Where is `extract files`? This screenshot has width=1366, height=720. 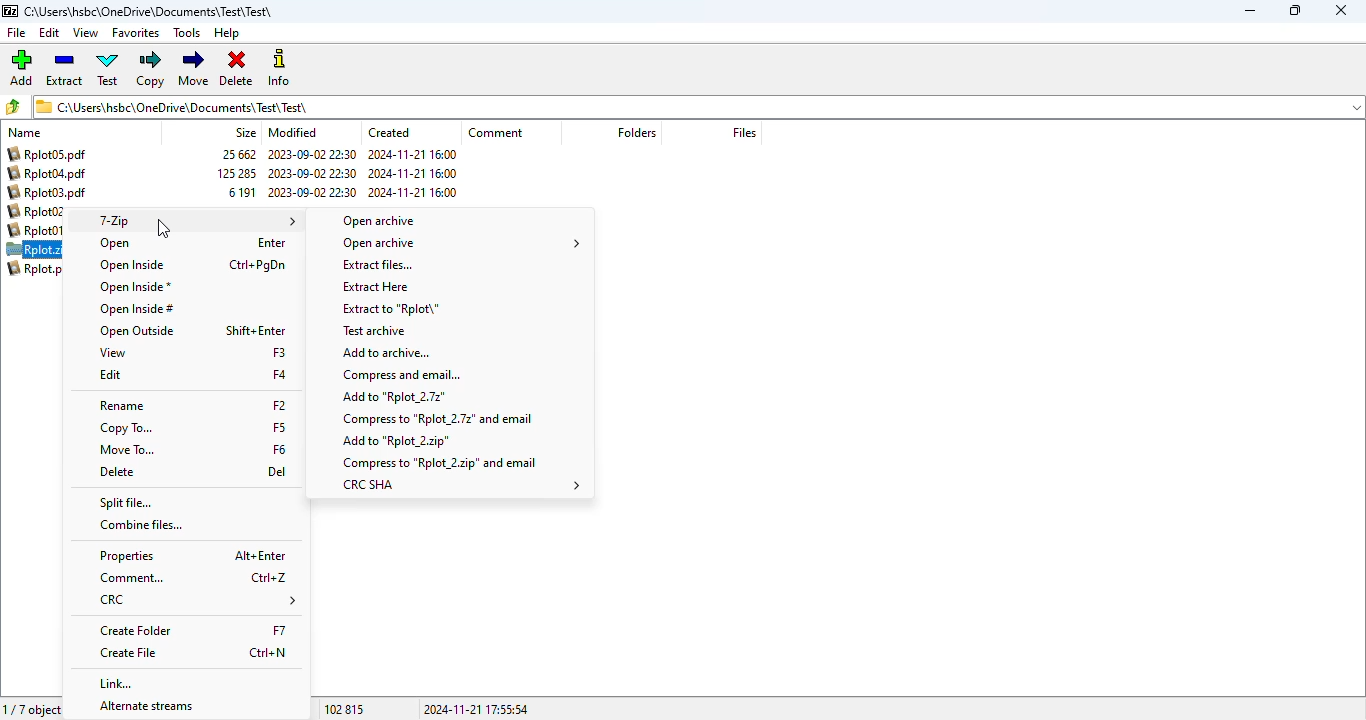
extract files is located at coordinates (376, 264).